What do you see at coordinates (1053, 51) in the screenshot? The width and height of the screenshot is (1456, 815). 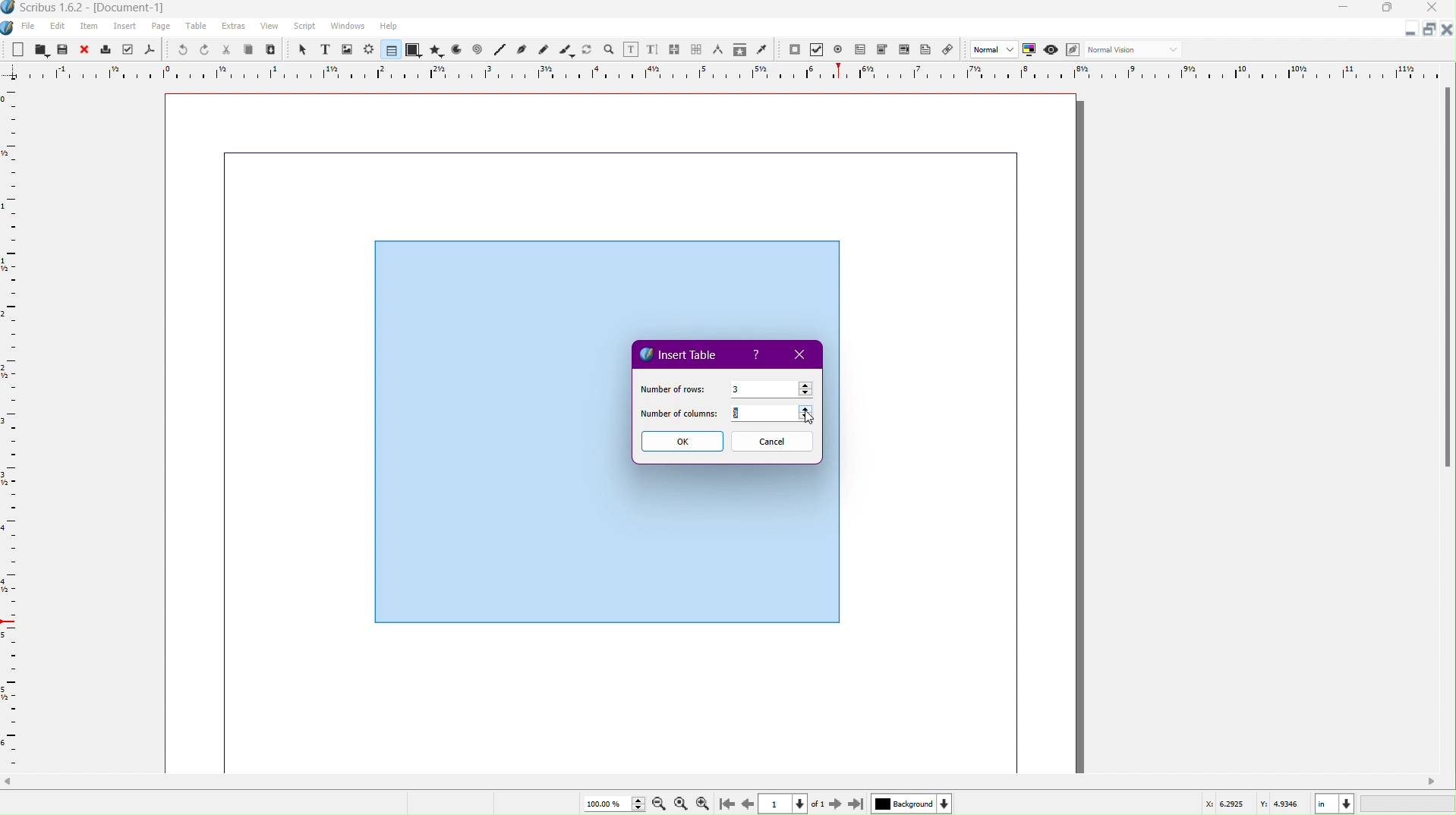 I see `Preview Mode` at bounding box center [1053, 51].